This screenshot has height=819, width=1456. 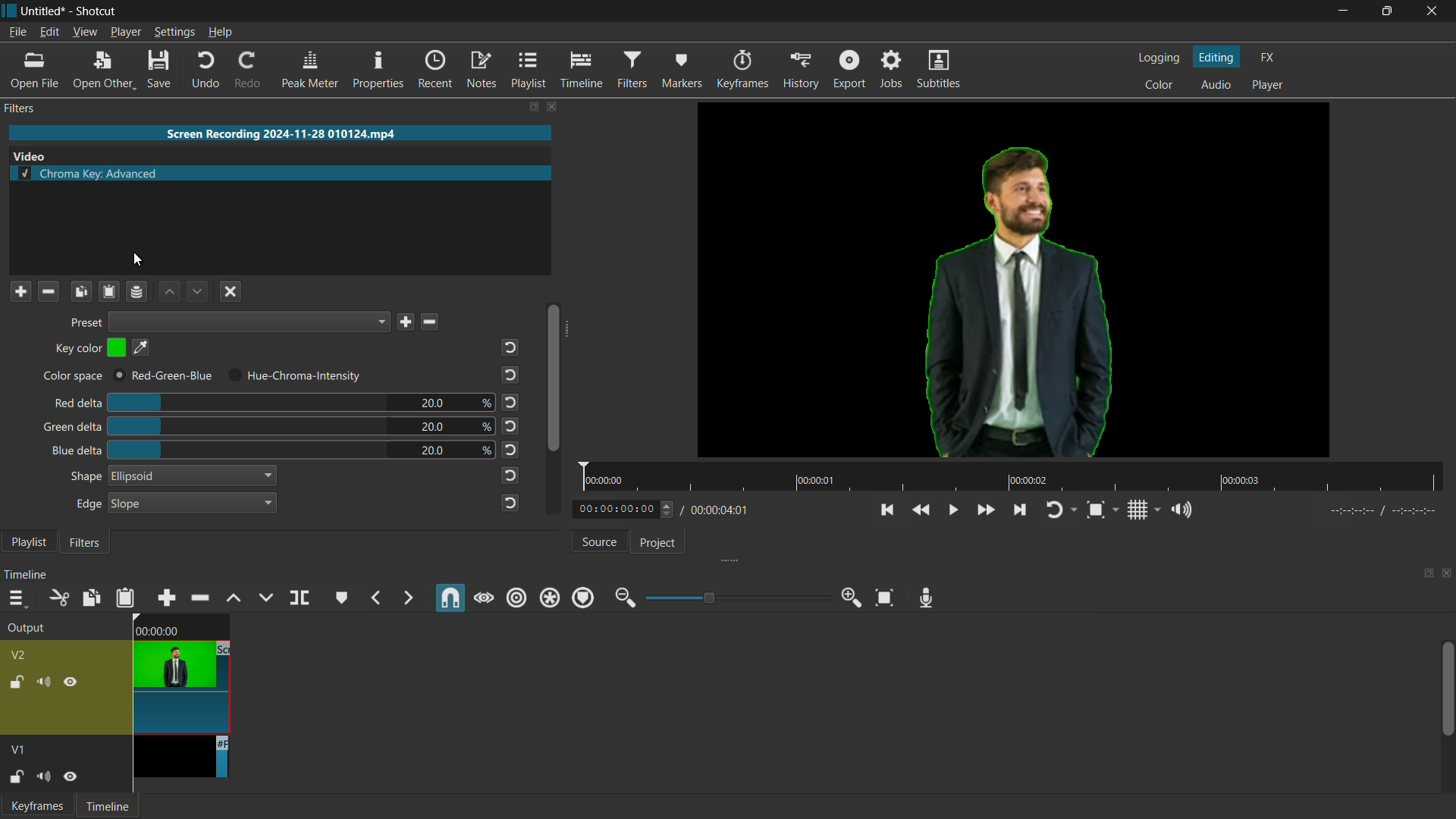 I want to click on slope, so click(x=190, y=502).